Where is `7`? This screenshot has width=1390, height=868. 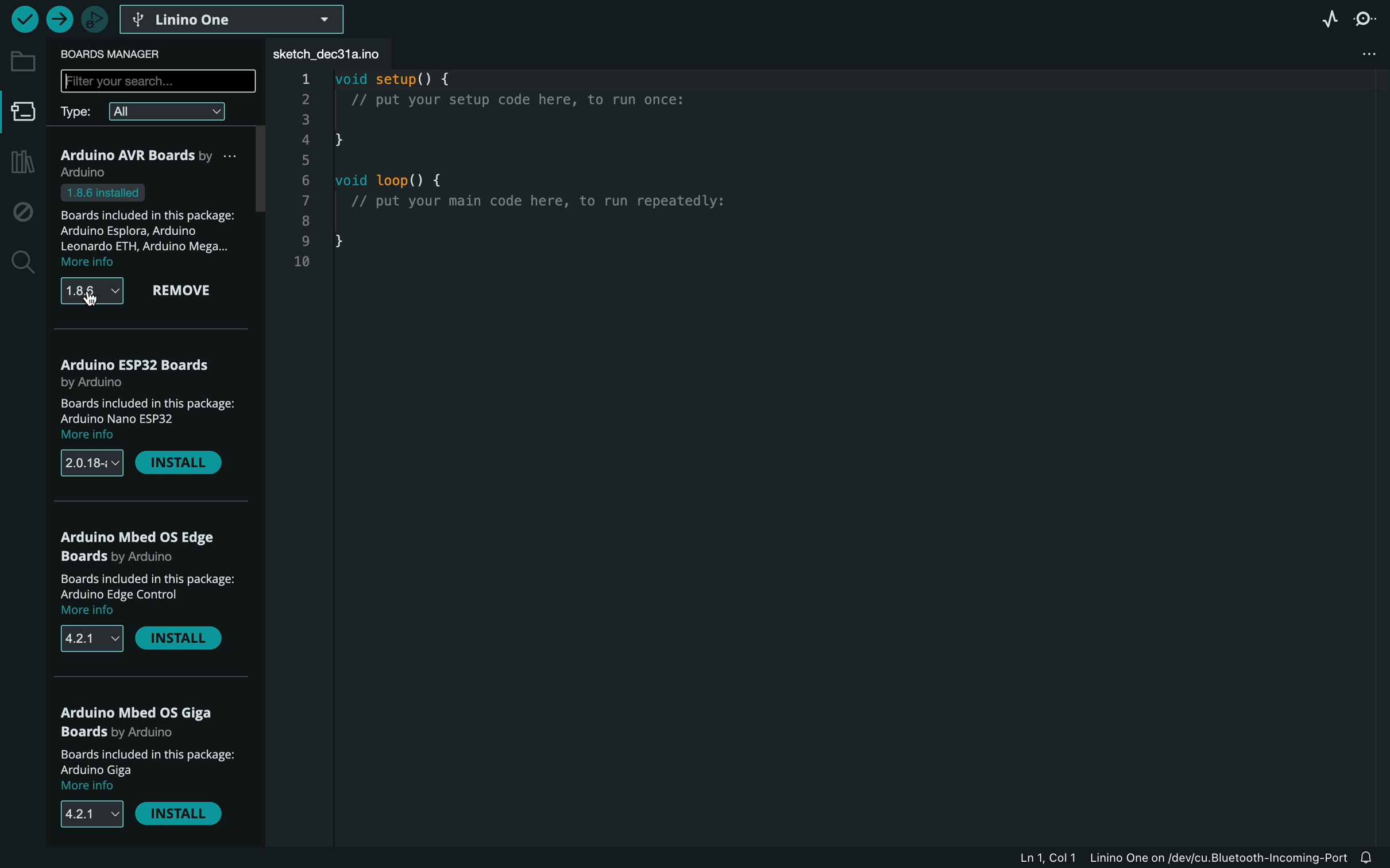
7 is located at coordinates (303, 201).